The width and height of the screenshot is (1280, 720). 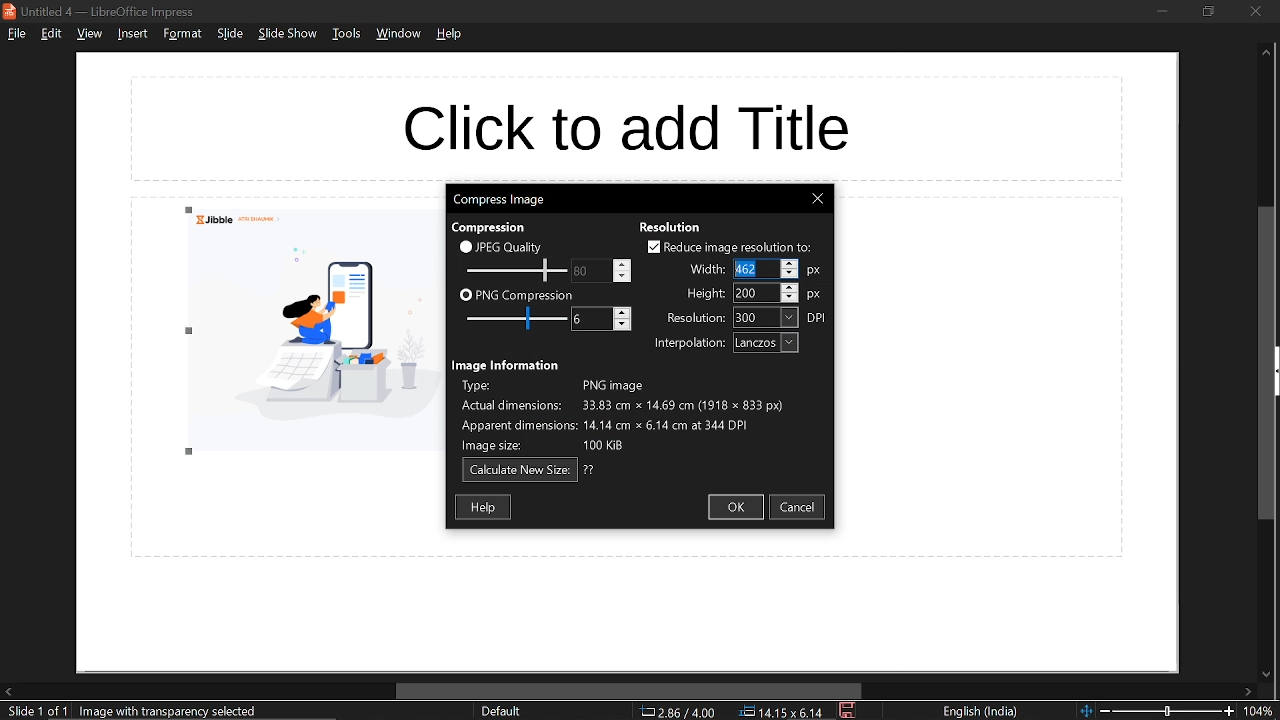 What do you see at coordinates (8, 691) in the screenshot?
I see `move left` at bounding box center [8, 691].